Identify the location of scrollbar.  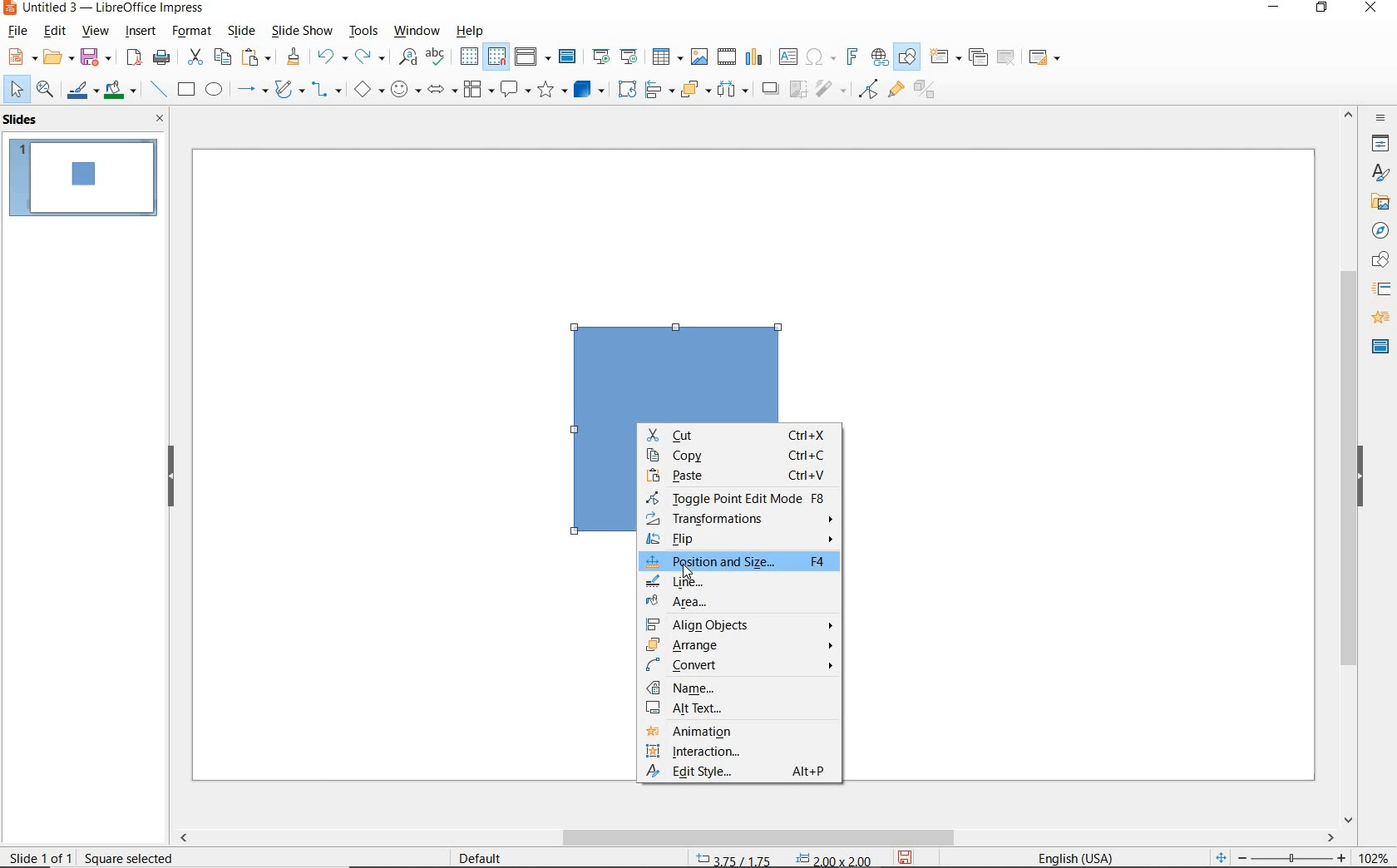
(758, 838).